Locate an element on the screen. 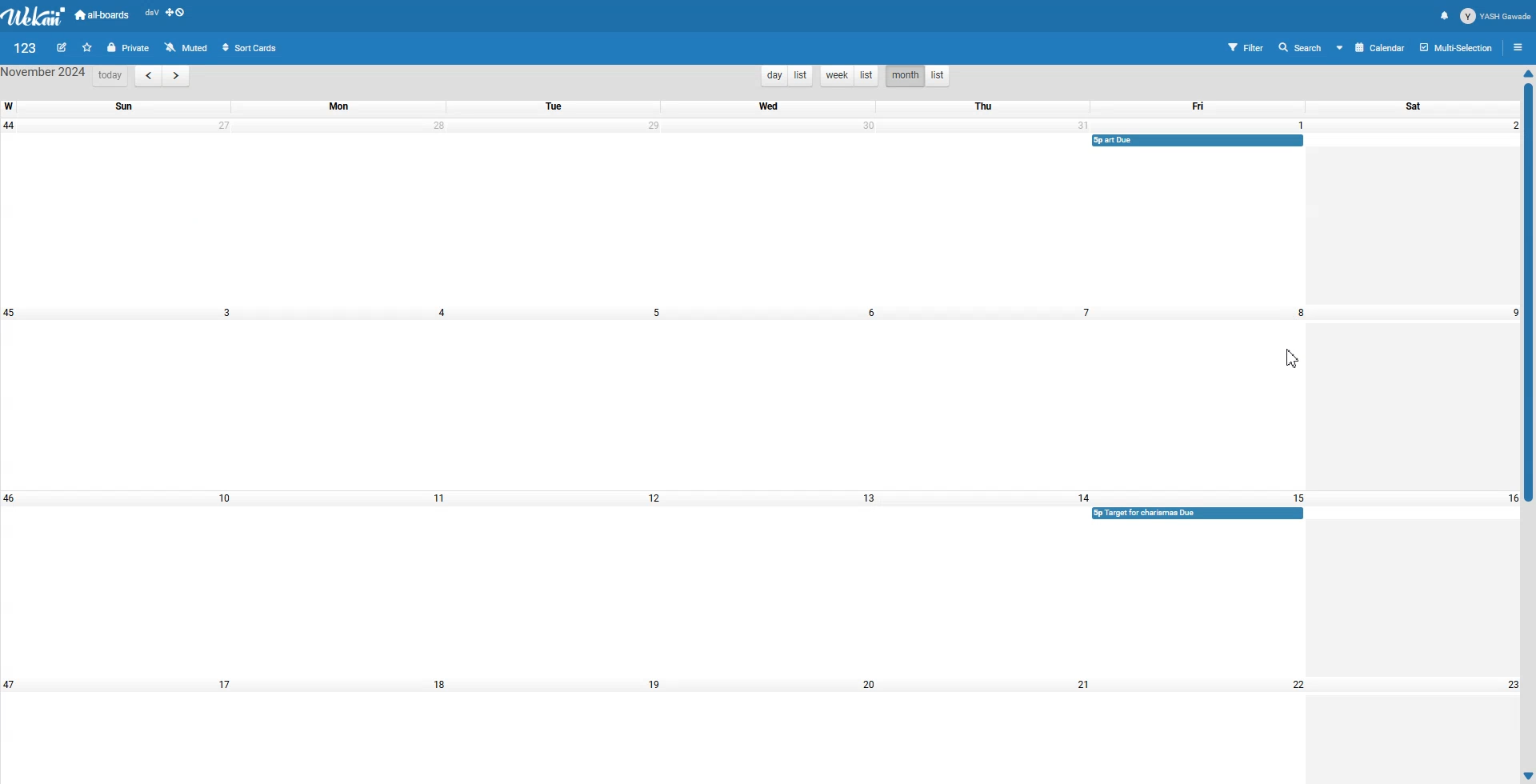  Show desktop Drag Handle is located at coordinates (177, 13).